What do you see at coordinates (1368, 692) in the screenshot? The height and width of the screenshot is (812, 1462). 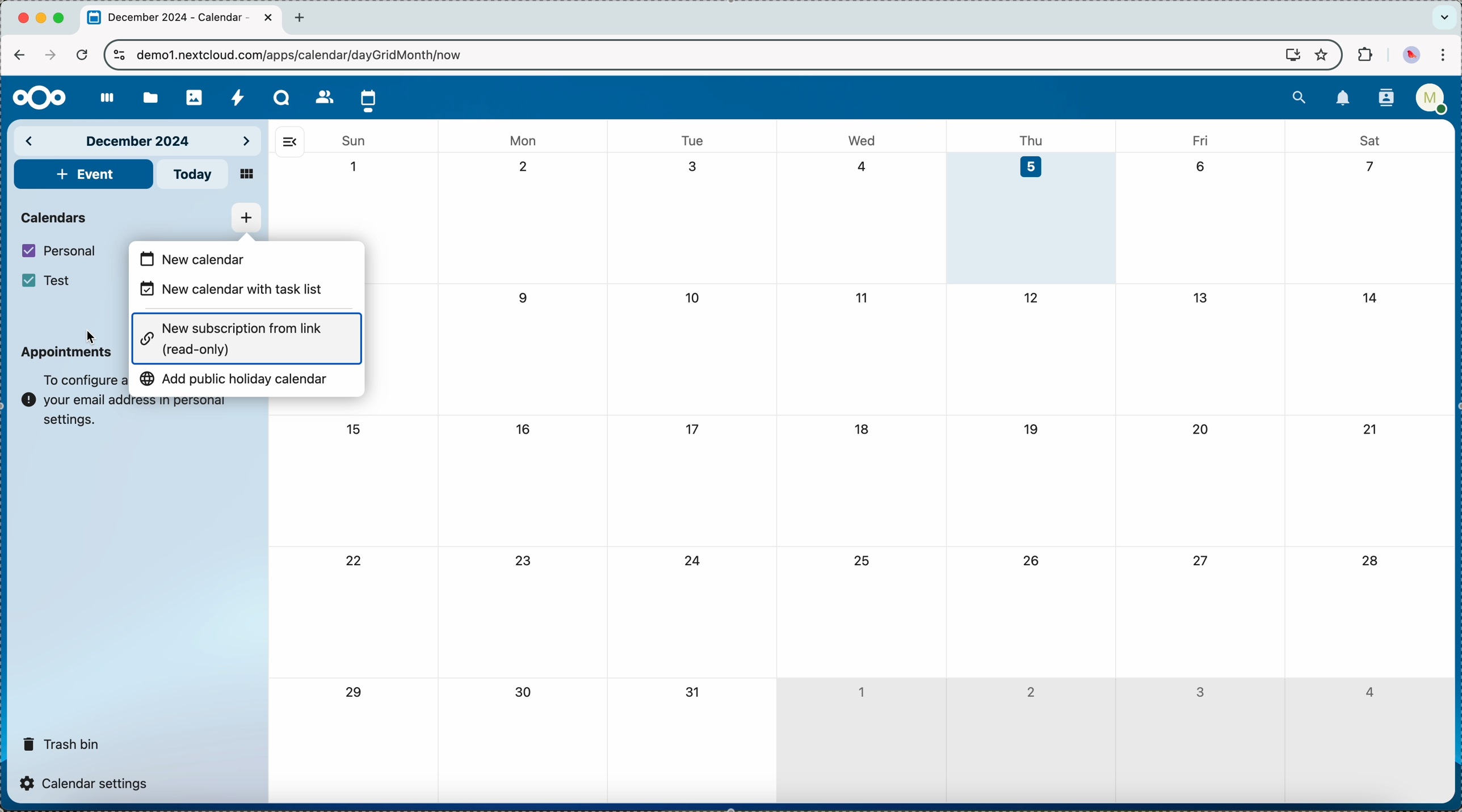 I see `4` at bounding box center [1368, 692].